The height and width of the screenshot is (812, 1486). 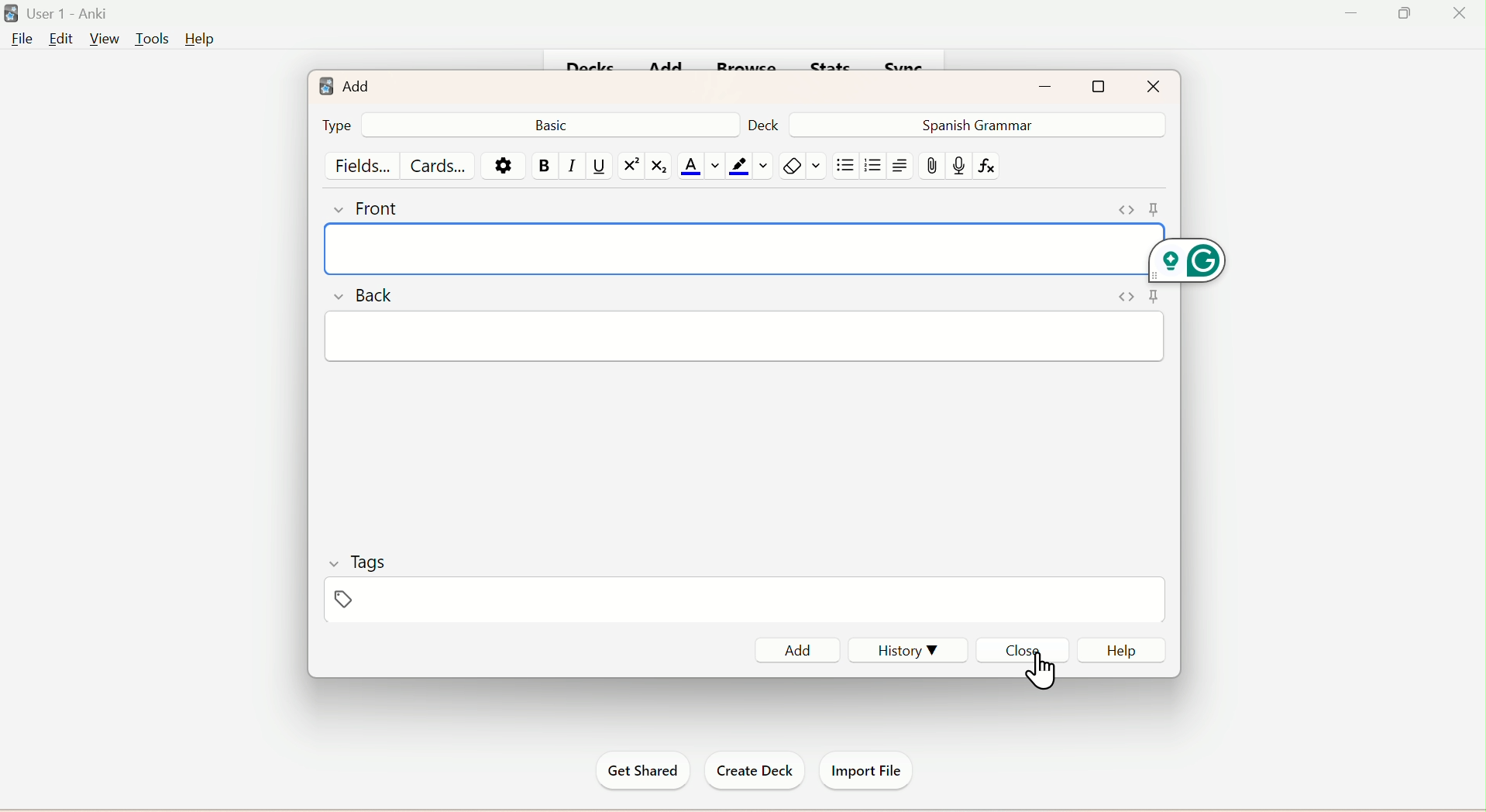 I want to click on History, so click(x=910, y=654).